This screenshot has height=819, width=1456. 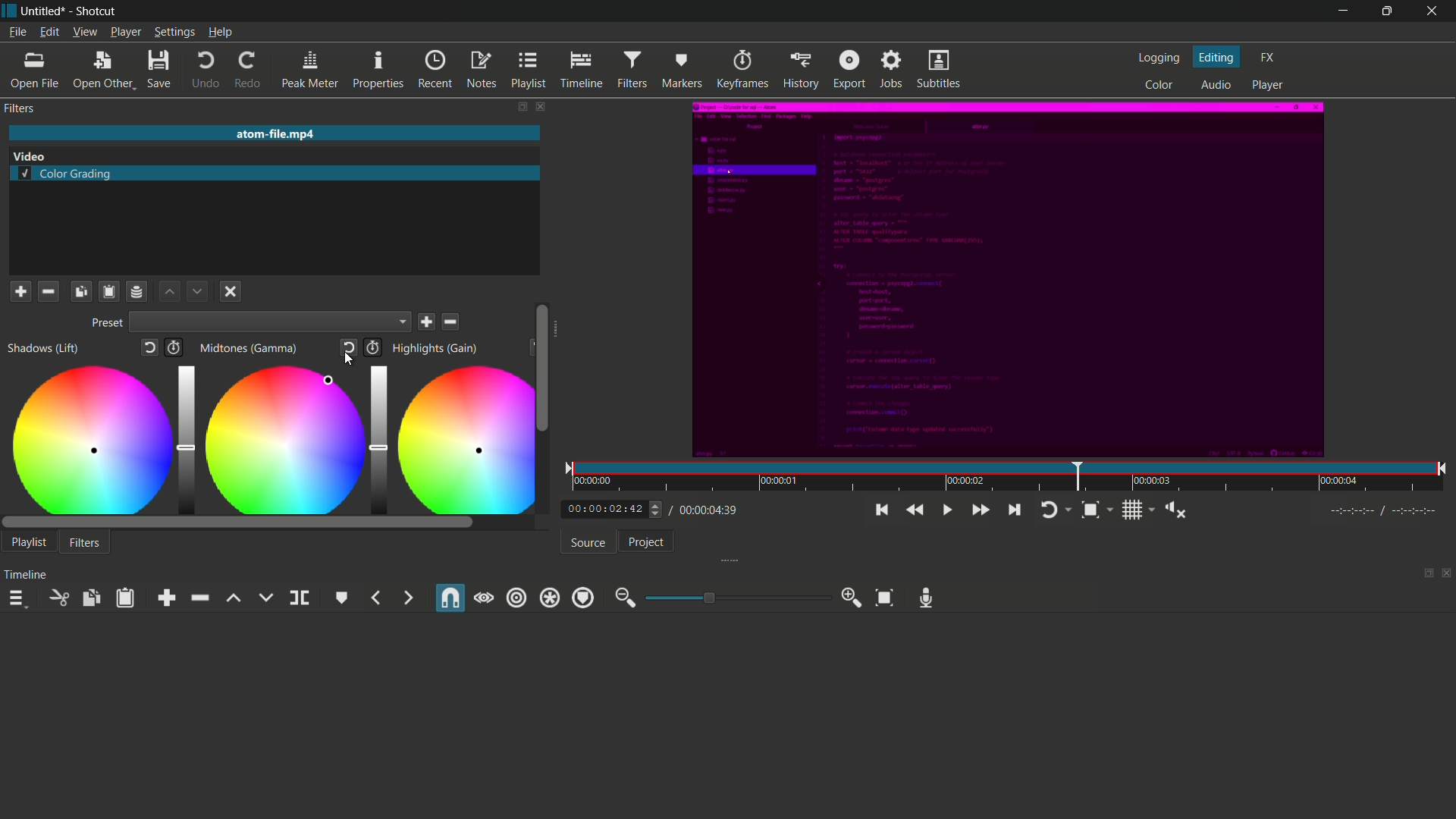 I want to click on undo, so click(x=206, y=72).